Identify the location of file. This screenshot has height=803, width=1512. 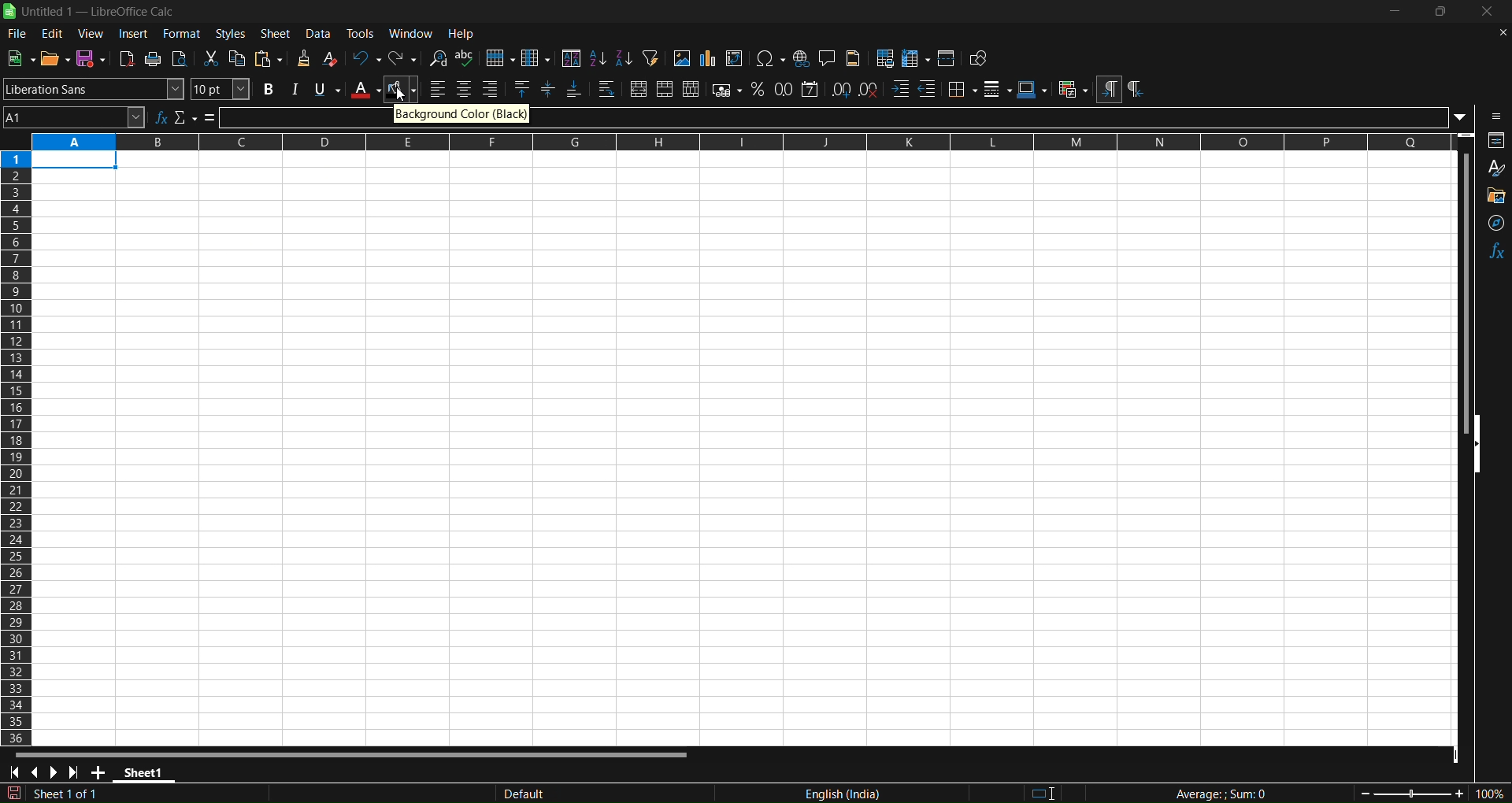
(17, 34).